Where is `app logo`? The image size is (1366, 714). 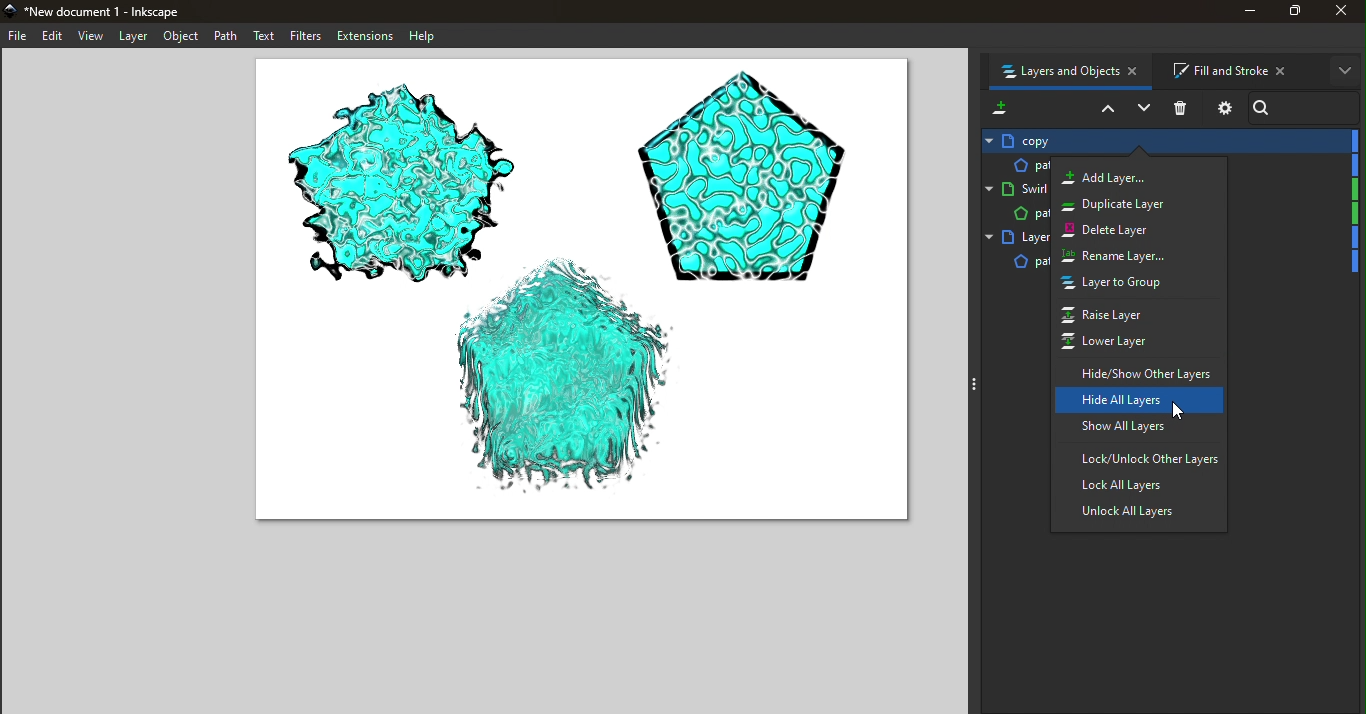
app logo is located at coordinates (11, 11).